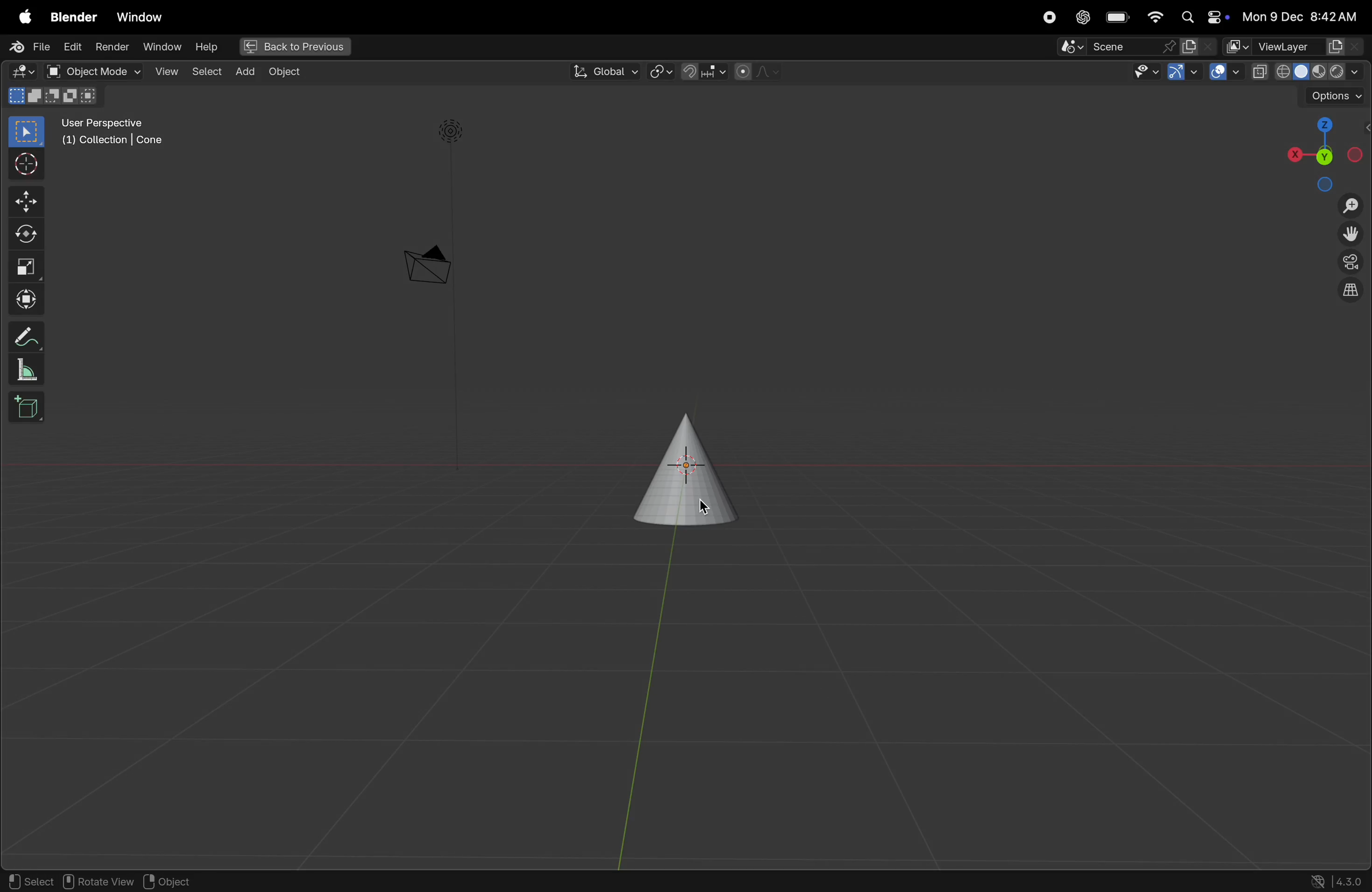 The width and height of the screenshot is (1372, 892). Describe the element at coordinates (1311, 70) in the screenshot. I see `view port shading` at that location.